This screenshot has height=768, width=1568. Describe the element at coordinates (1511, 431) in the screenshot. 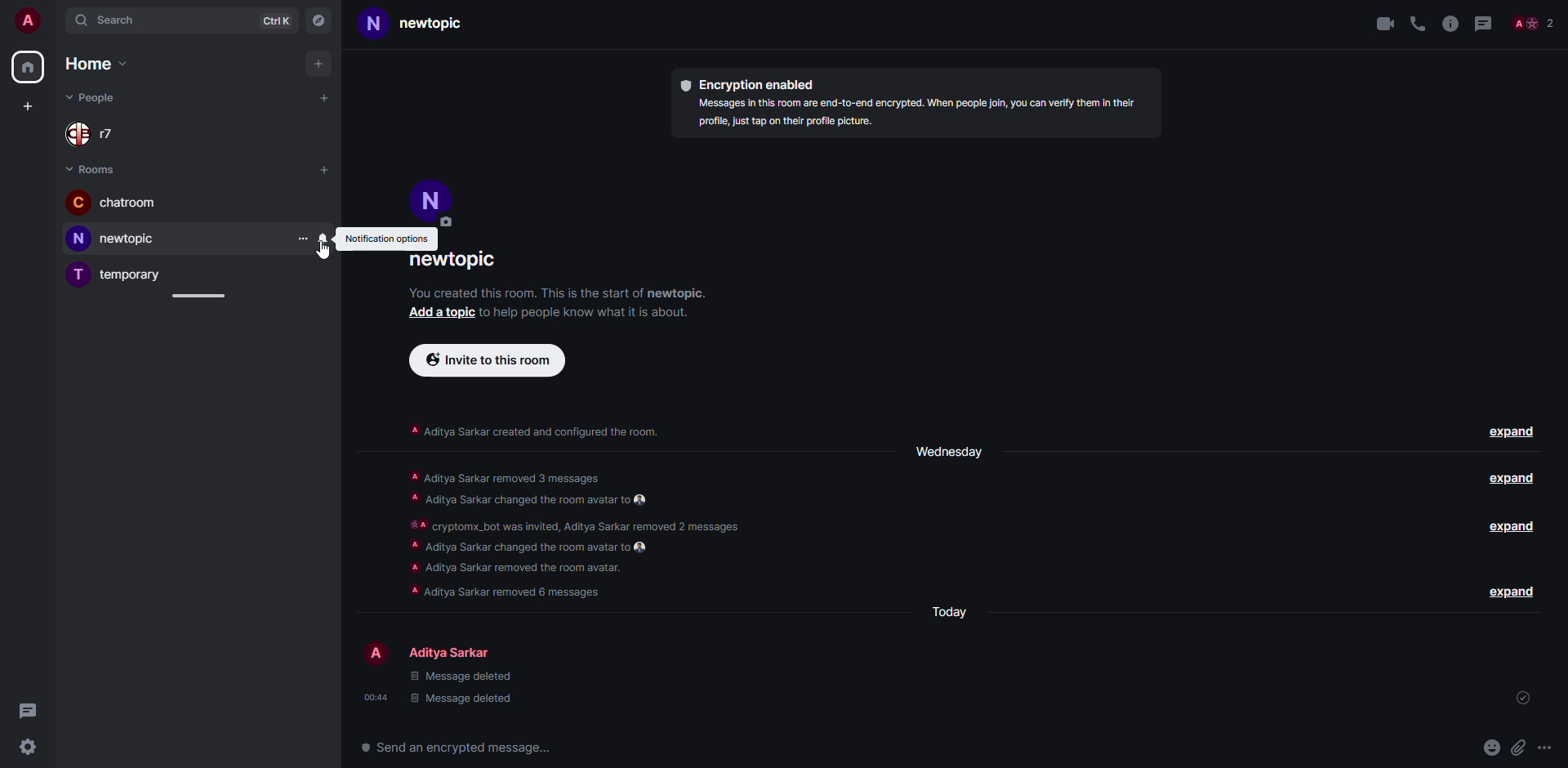

I see `expand` at that location.